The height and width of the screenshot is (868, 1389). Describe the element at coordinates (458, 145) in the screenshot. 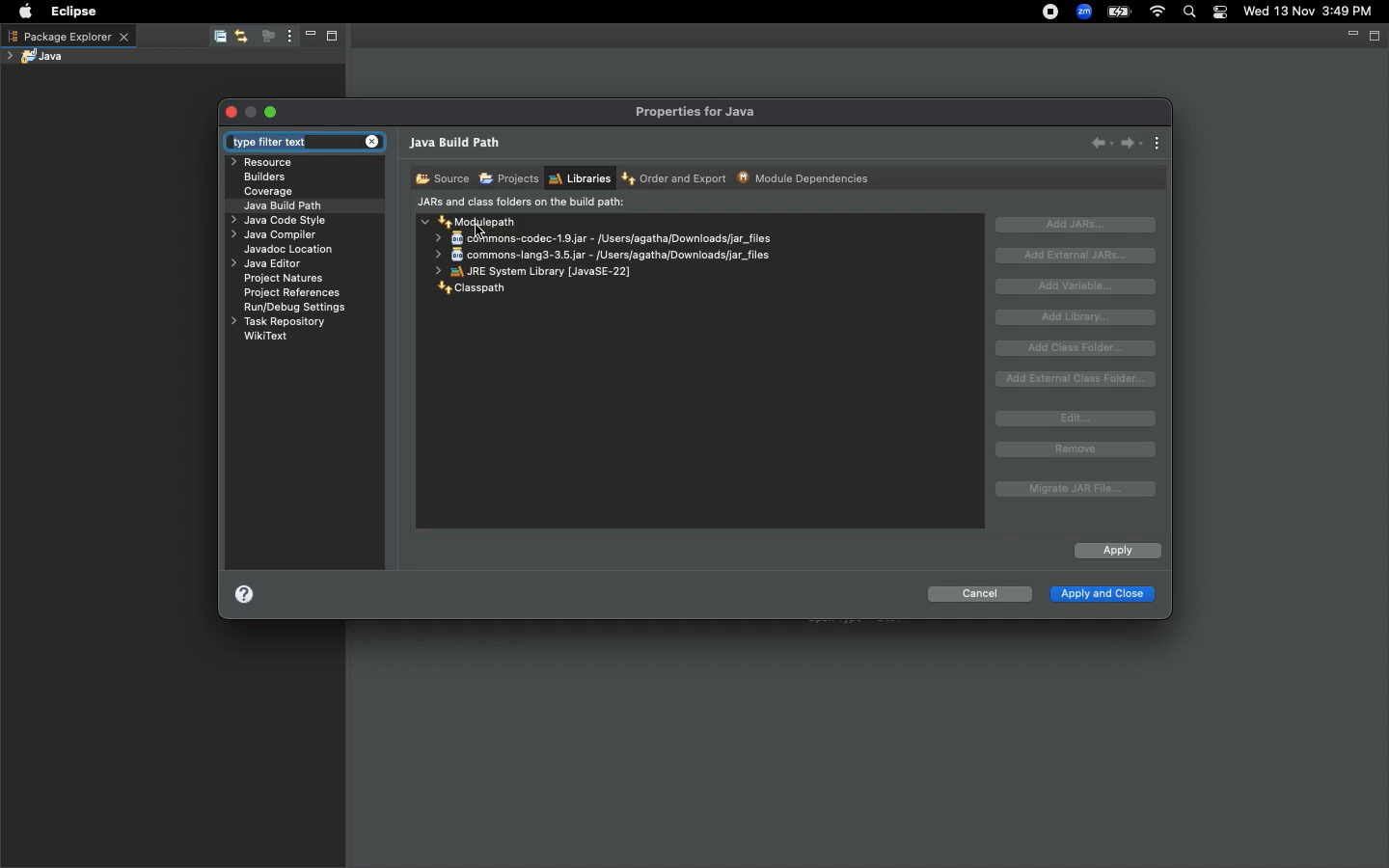

I see `Java build path` at that location.